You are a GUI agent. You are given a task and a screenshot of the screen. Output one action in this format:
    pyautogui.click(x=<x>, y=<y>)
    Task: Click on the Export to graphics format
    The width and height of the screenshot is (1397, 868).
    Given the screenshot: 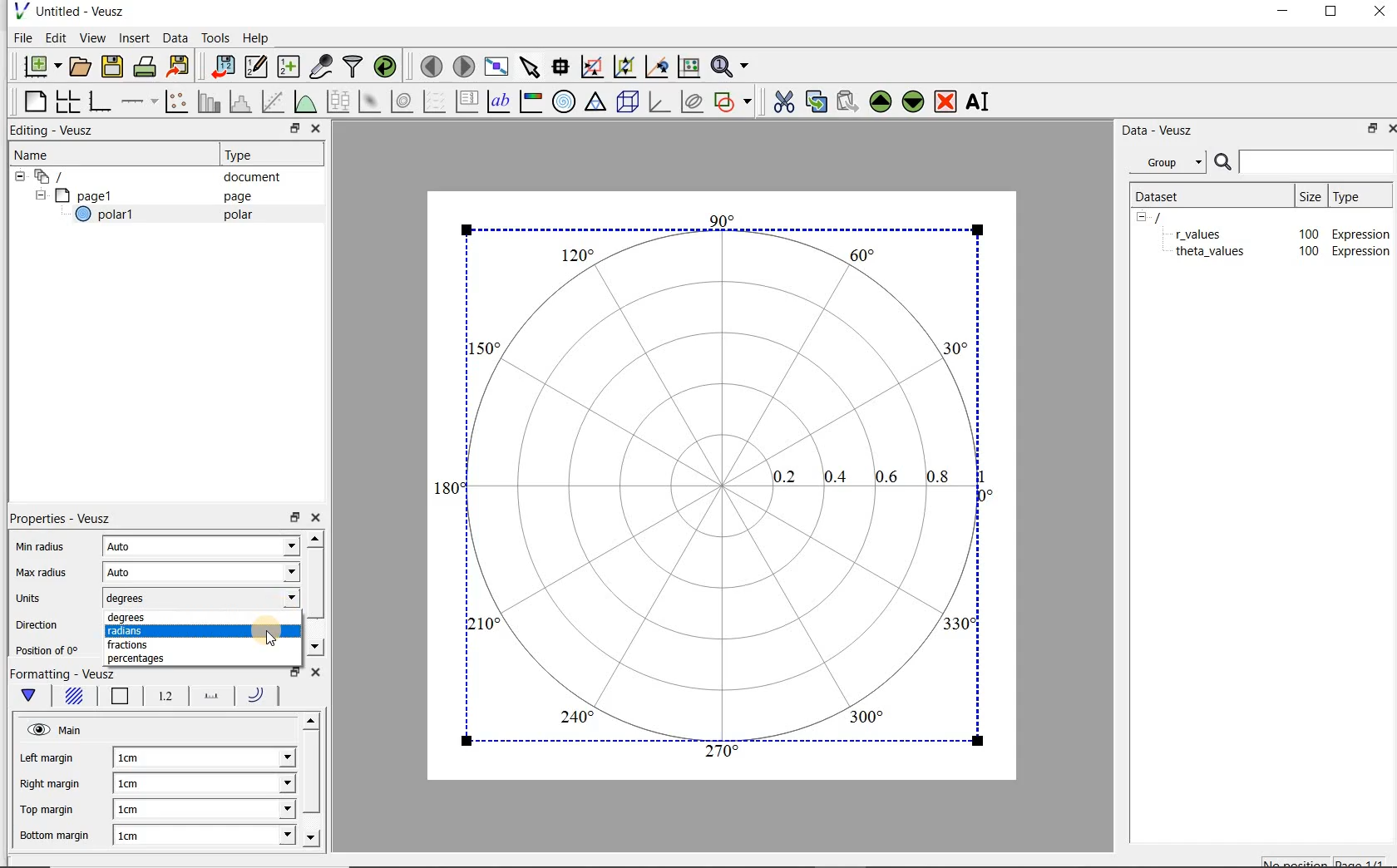 What is the action you would take?
    pyautogui.click(x=179, y=68)
    